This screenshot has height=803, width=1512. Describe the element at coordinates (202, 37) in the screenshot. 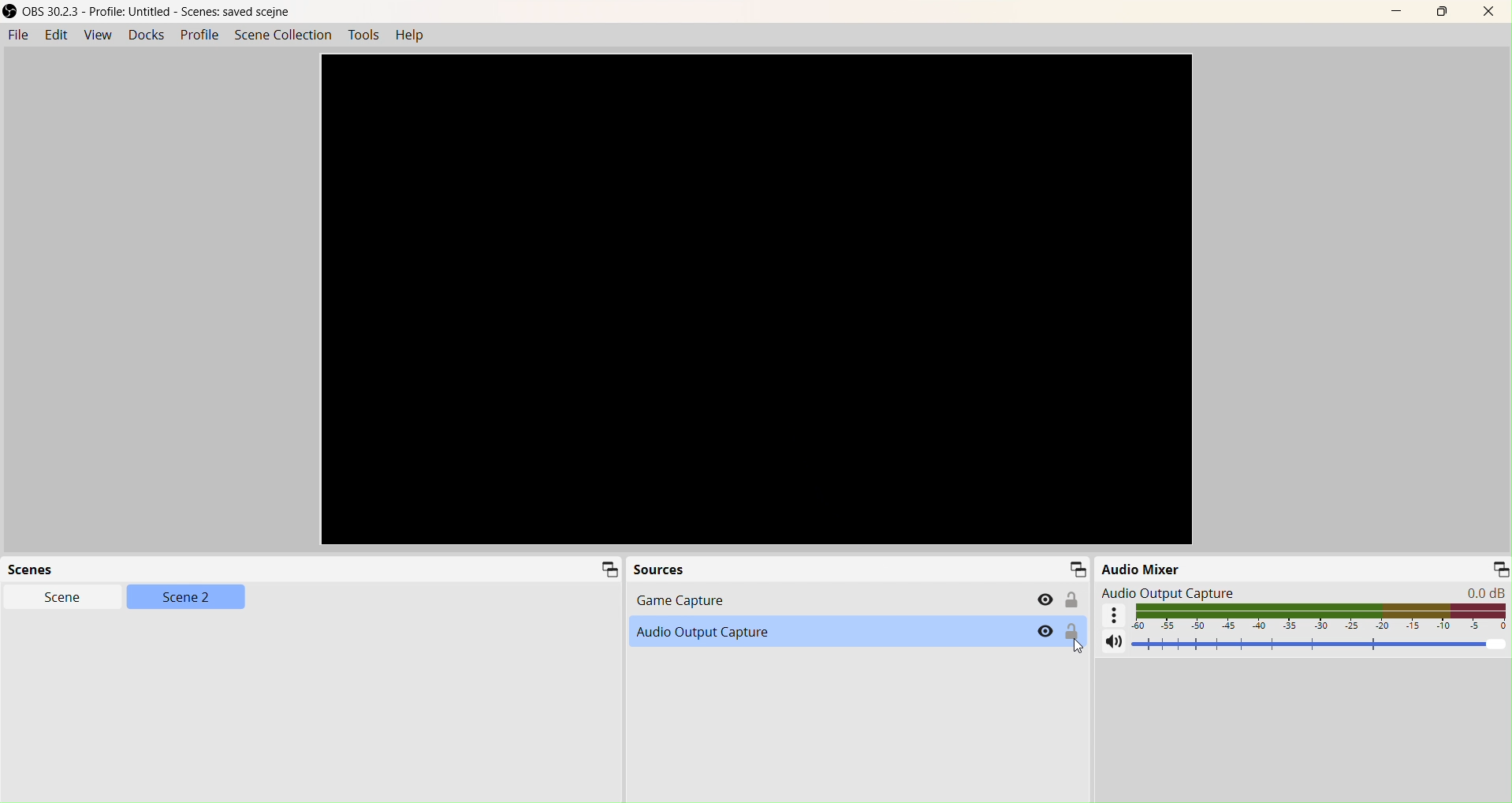

I see `Profile` at that location.